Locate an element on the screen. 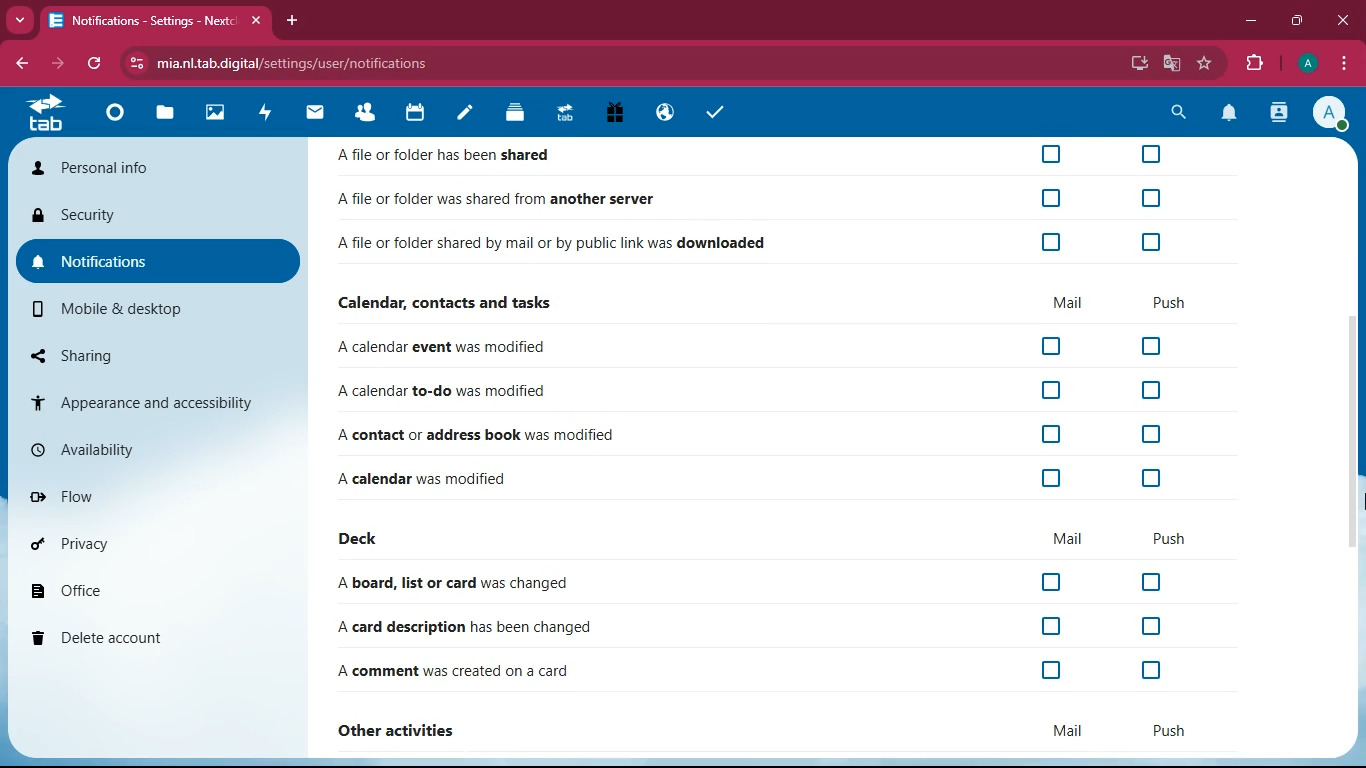 This screenshot has width=1366, height=768. options is located at coordinates (1346, 65).